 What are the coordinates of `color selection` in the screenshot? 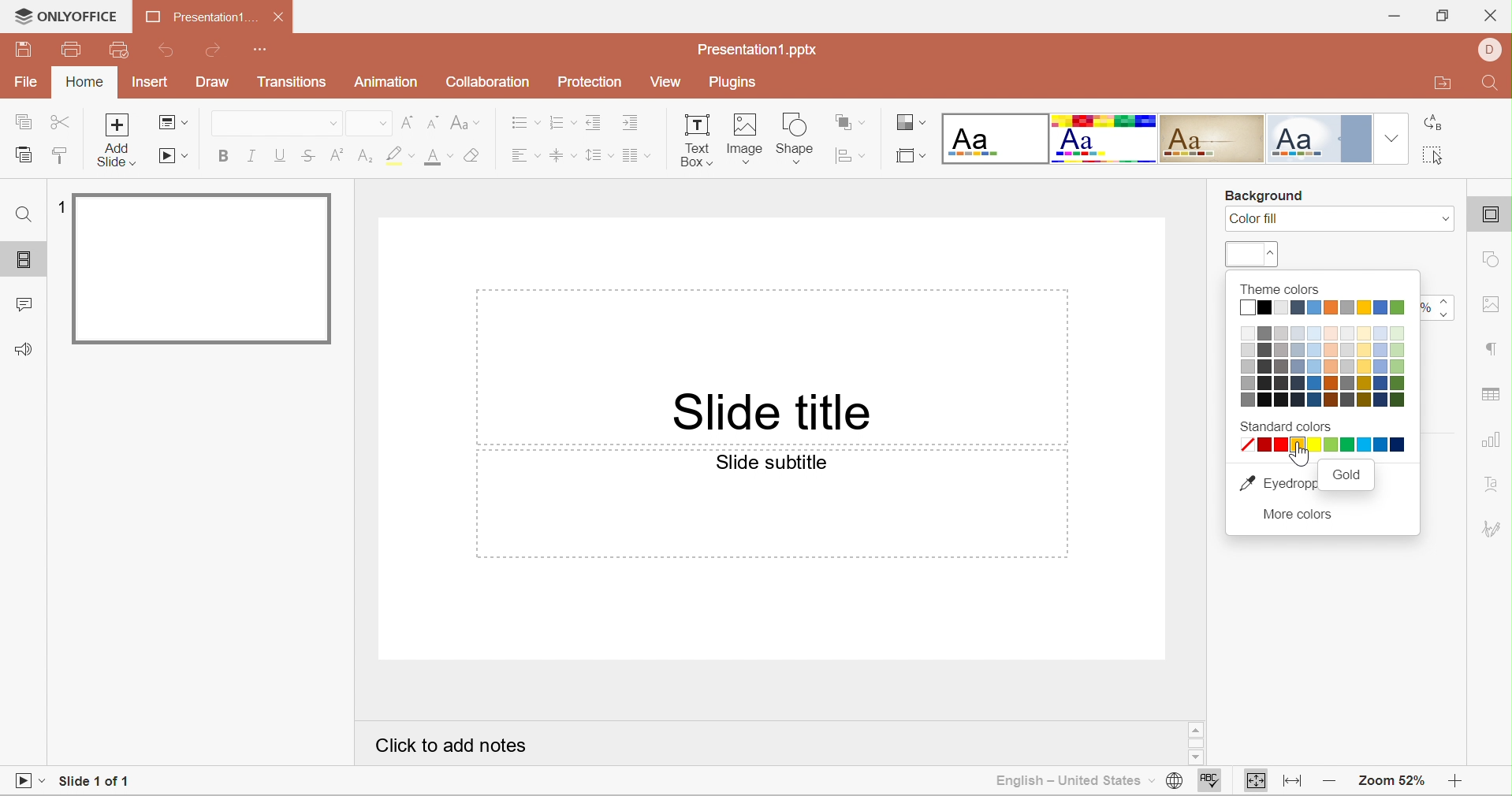 It's located at (1253, 255).